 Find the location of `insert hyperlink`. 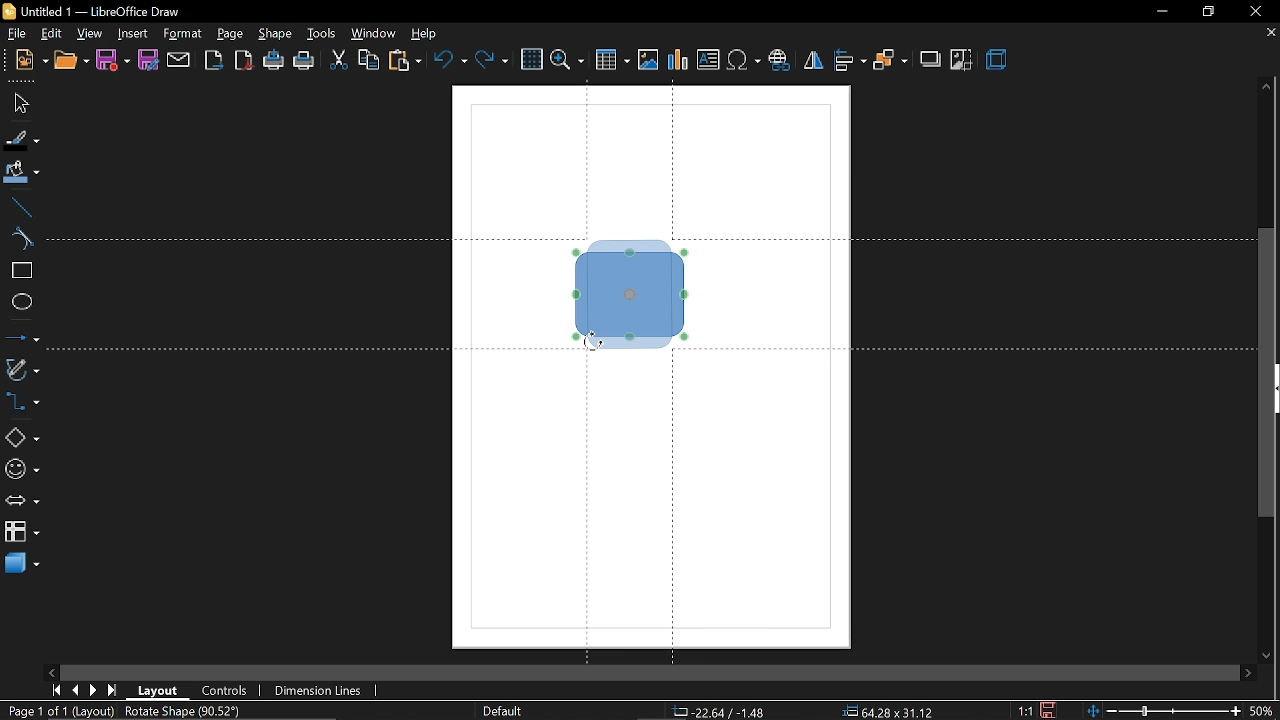

insert hyperlink is located at coordinates (780, 62).